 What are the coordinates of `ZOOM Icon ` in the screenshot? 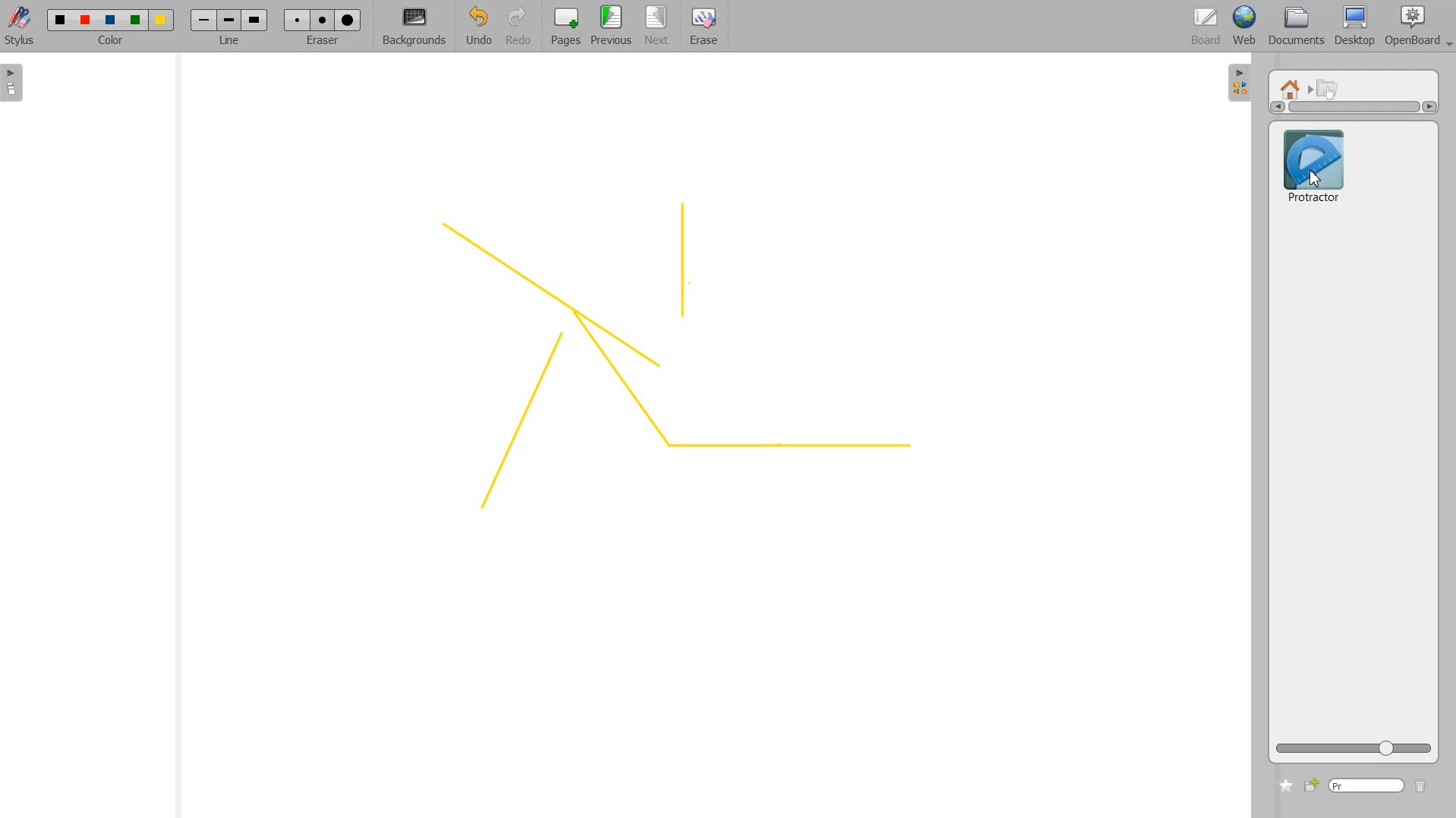 It's located at (1354, 748).